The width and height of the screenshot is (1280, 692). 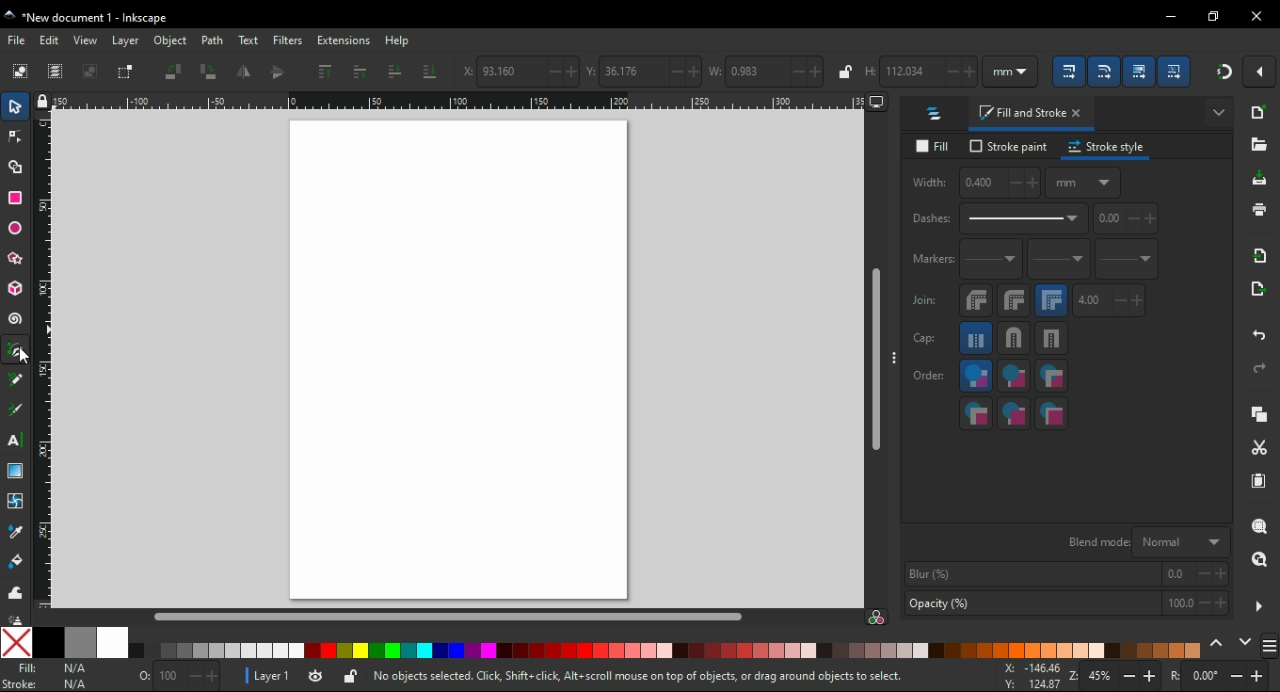 What do you see at coordinates (1260, 179) in the screenshot?
I see `save` at bounding box center [1260, 179].